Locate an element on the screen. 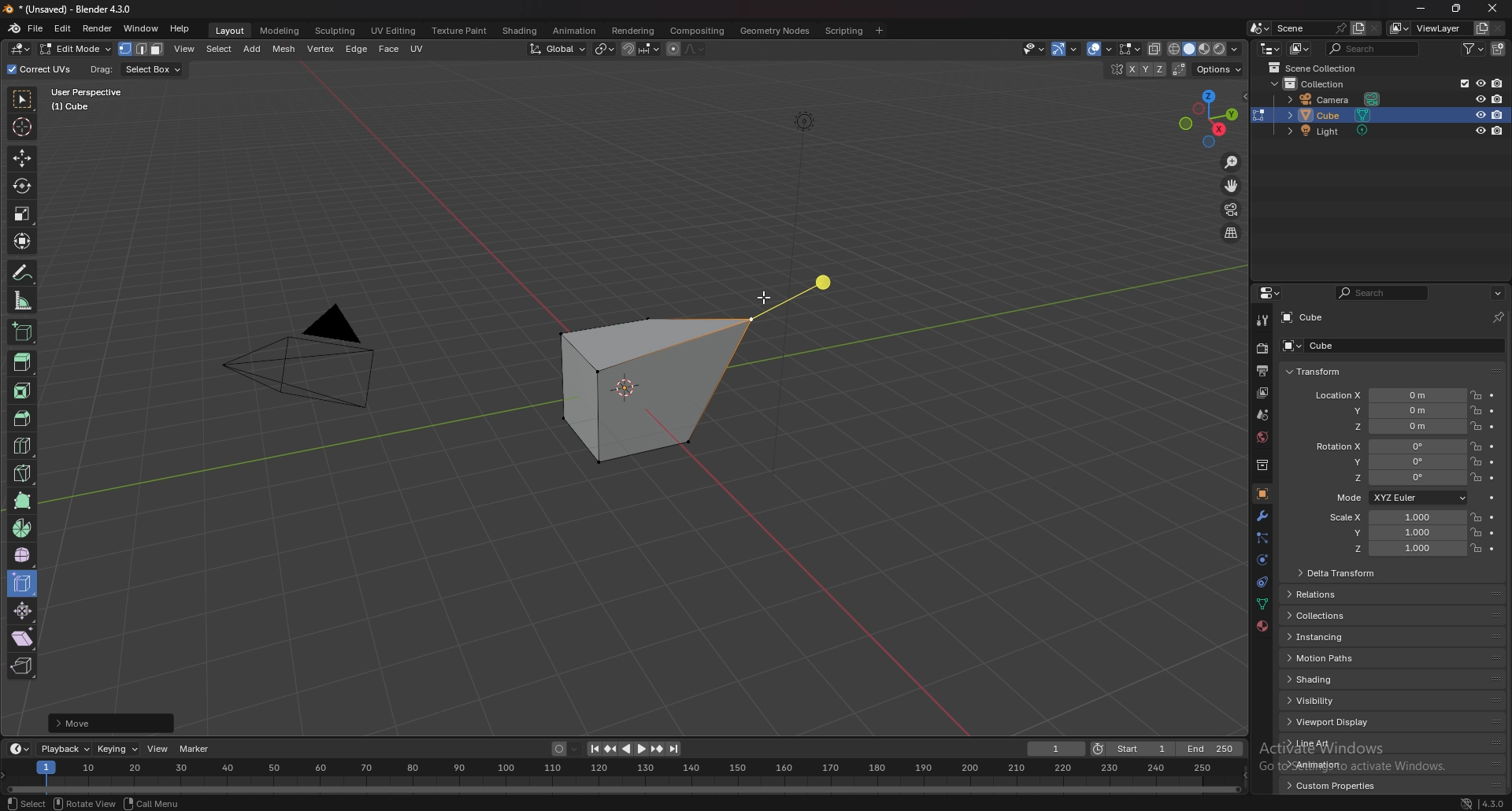 Image resolution: width=1512 pixels, height=811 pixels. delta transform is located at coordinates (1338, 573).